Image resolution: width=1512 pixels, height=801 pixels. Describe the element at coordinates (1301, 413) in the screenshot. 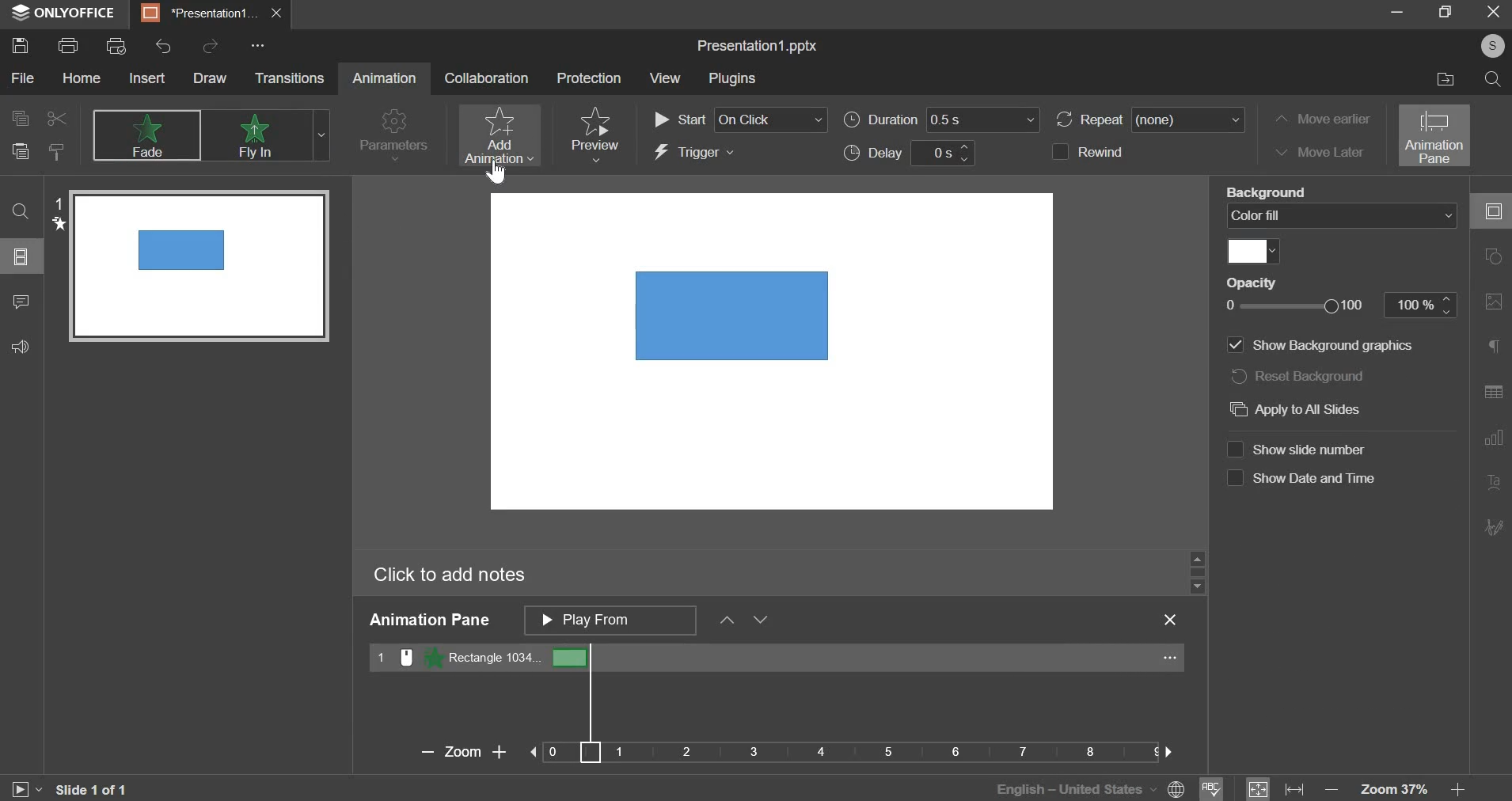

I see `Apply to All Slides` at that location.